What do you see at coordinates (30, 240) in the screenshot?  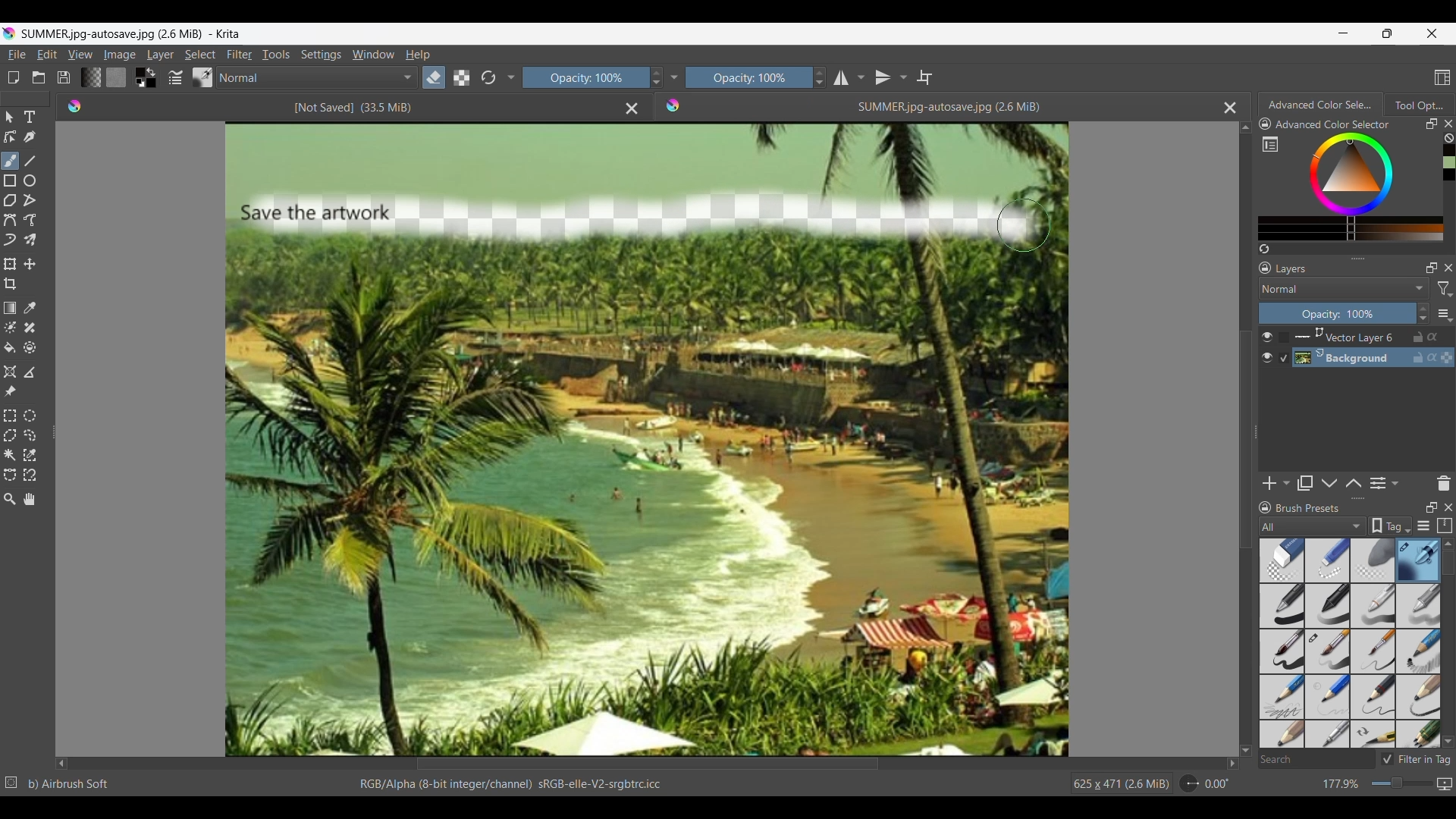 I see `Multibrush tool` at bounding box center [30, 240].